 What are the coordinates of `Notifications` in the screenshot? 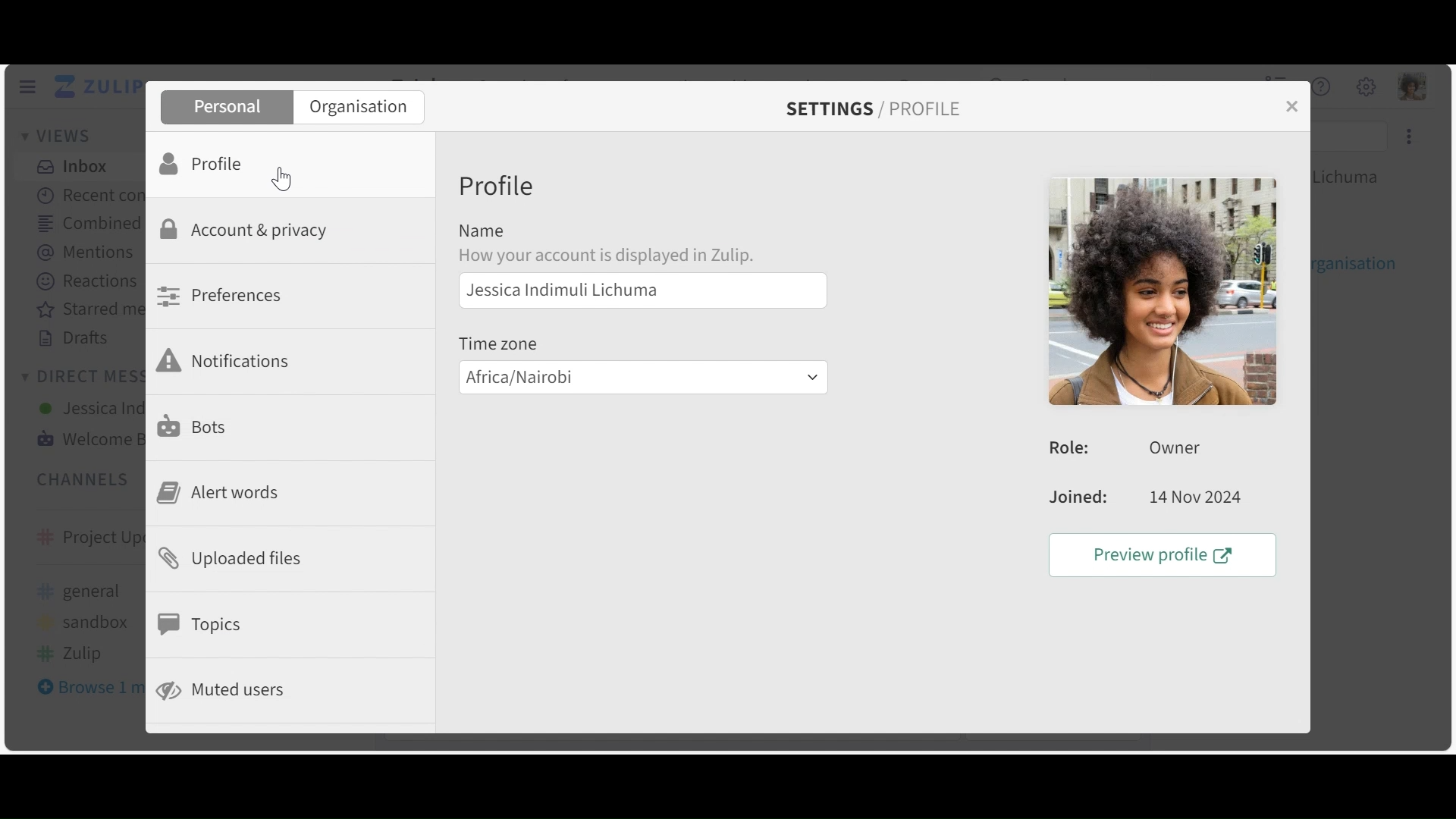 It's located at (224, 360).